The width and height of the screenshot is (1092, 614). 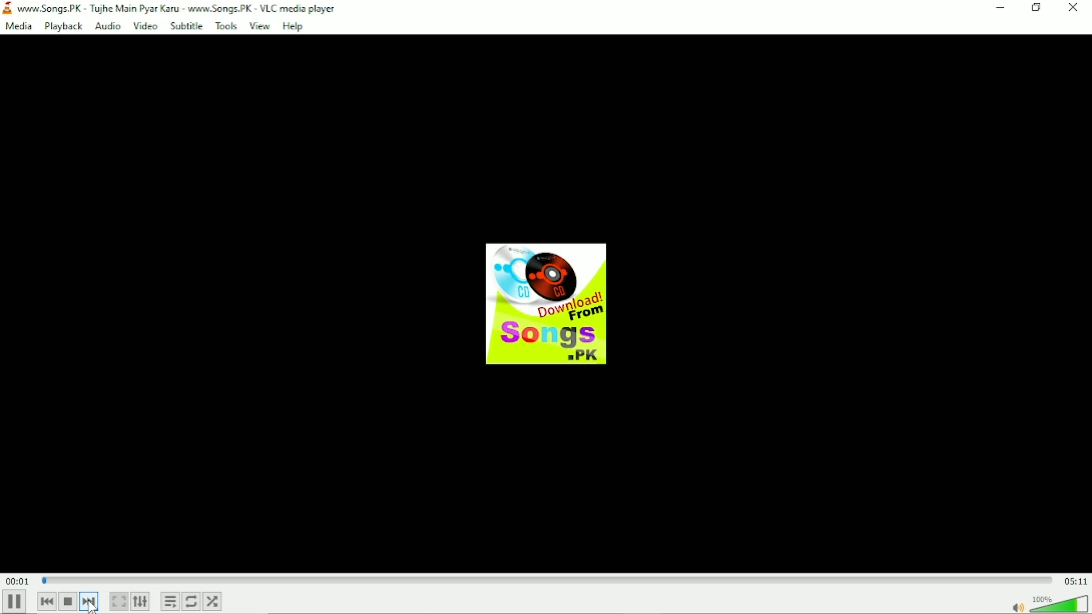 I want to click on Playback, so click(x=62, y=26).